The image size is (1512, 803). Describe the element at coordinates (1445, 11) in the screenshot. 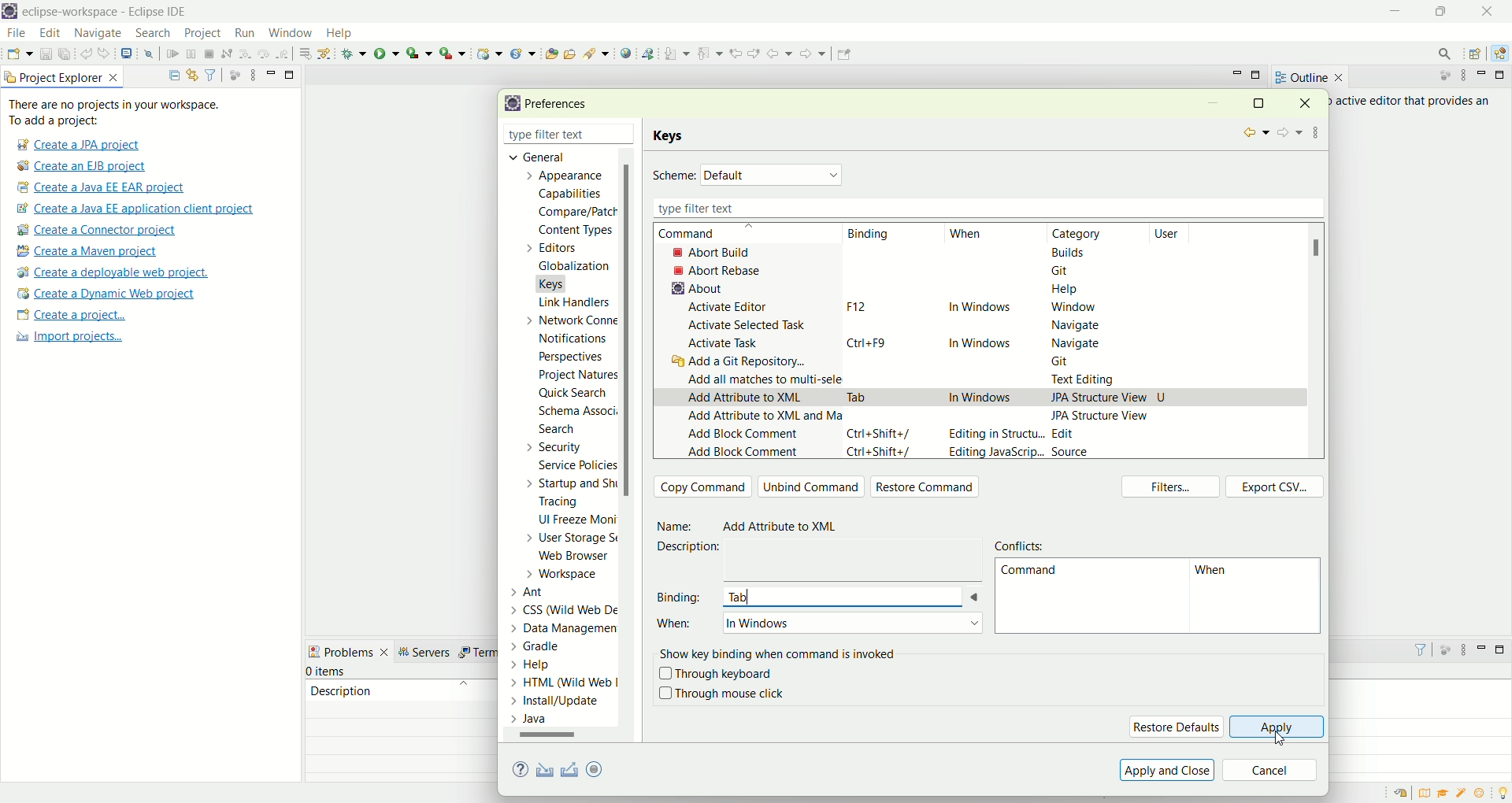

I see `maximize` at that location.